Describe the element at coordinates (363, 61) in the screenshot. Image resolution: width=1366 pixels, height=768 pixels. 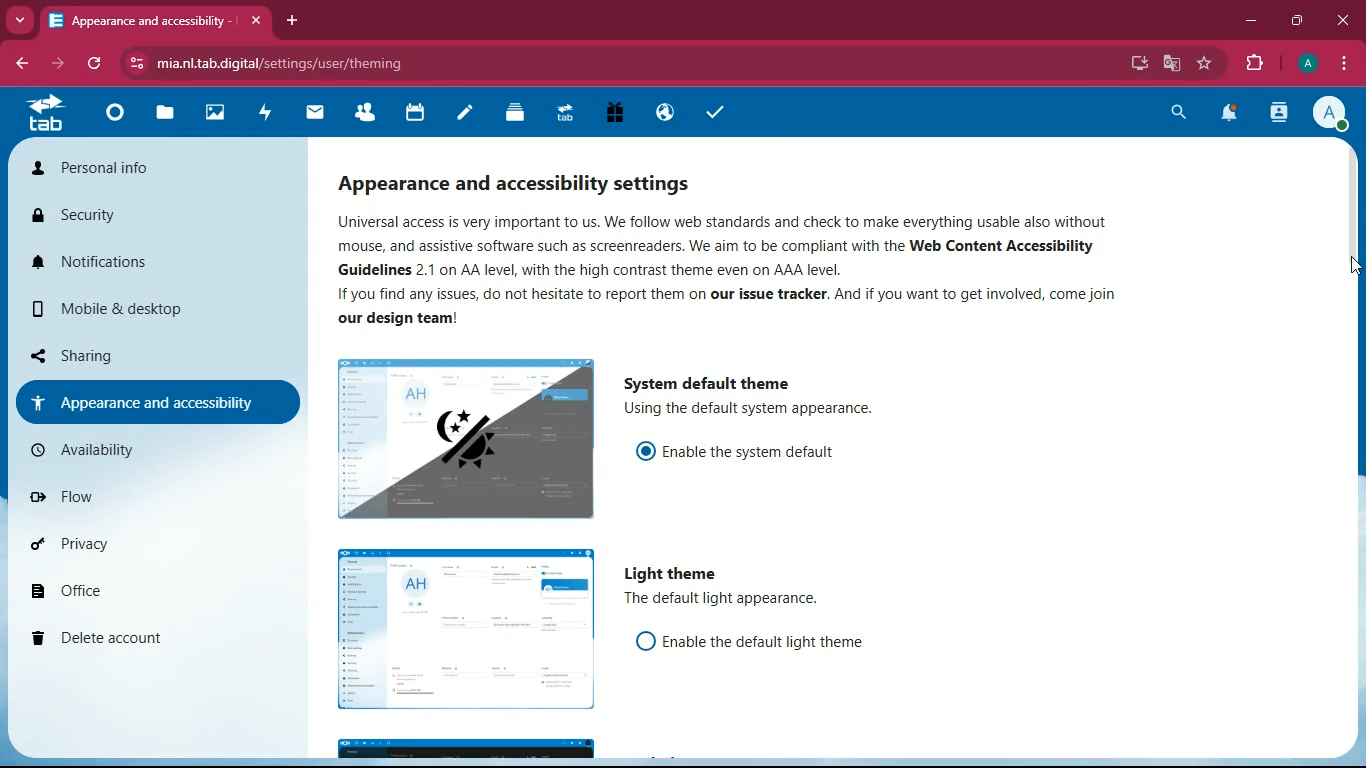
I see `url` at that location.